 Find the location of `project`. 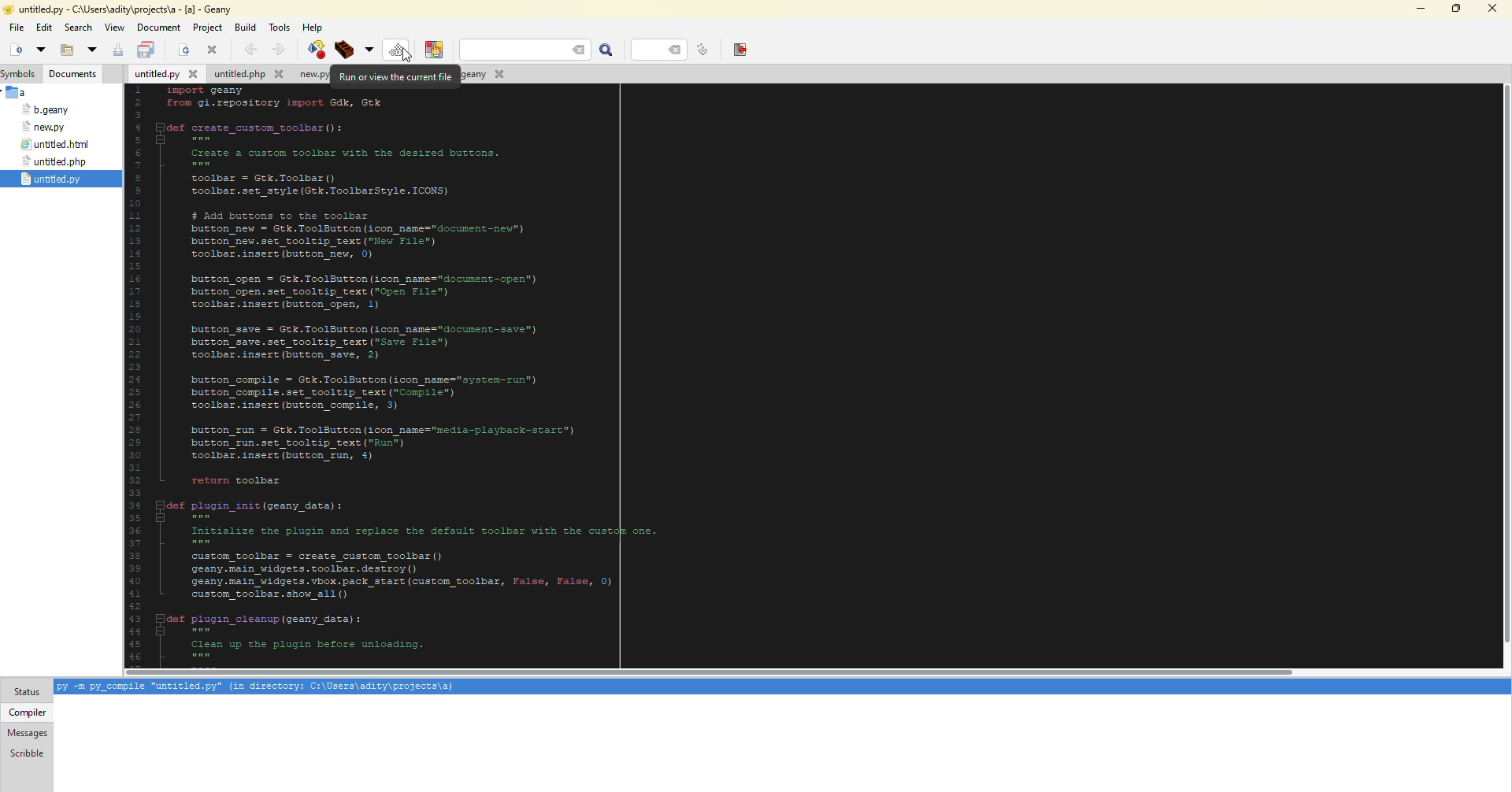

project is located at coordinates (207, 28).